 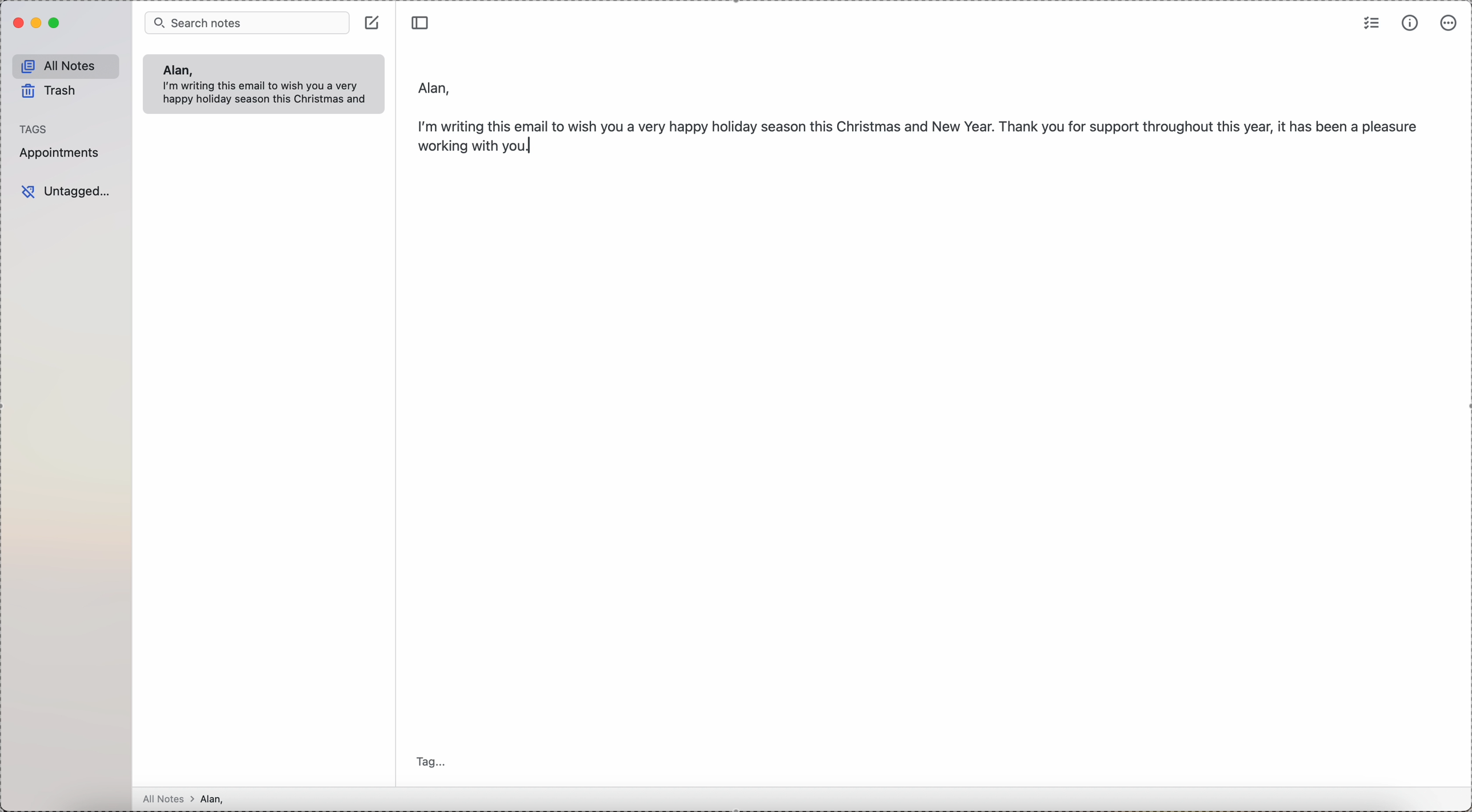 I want to click on maximize, so click(x=56, y=23).